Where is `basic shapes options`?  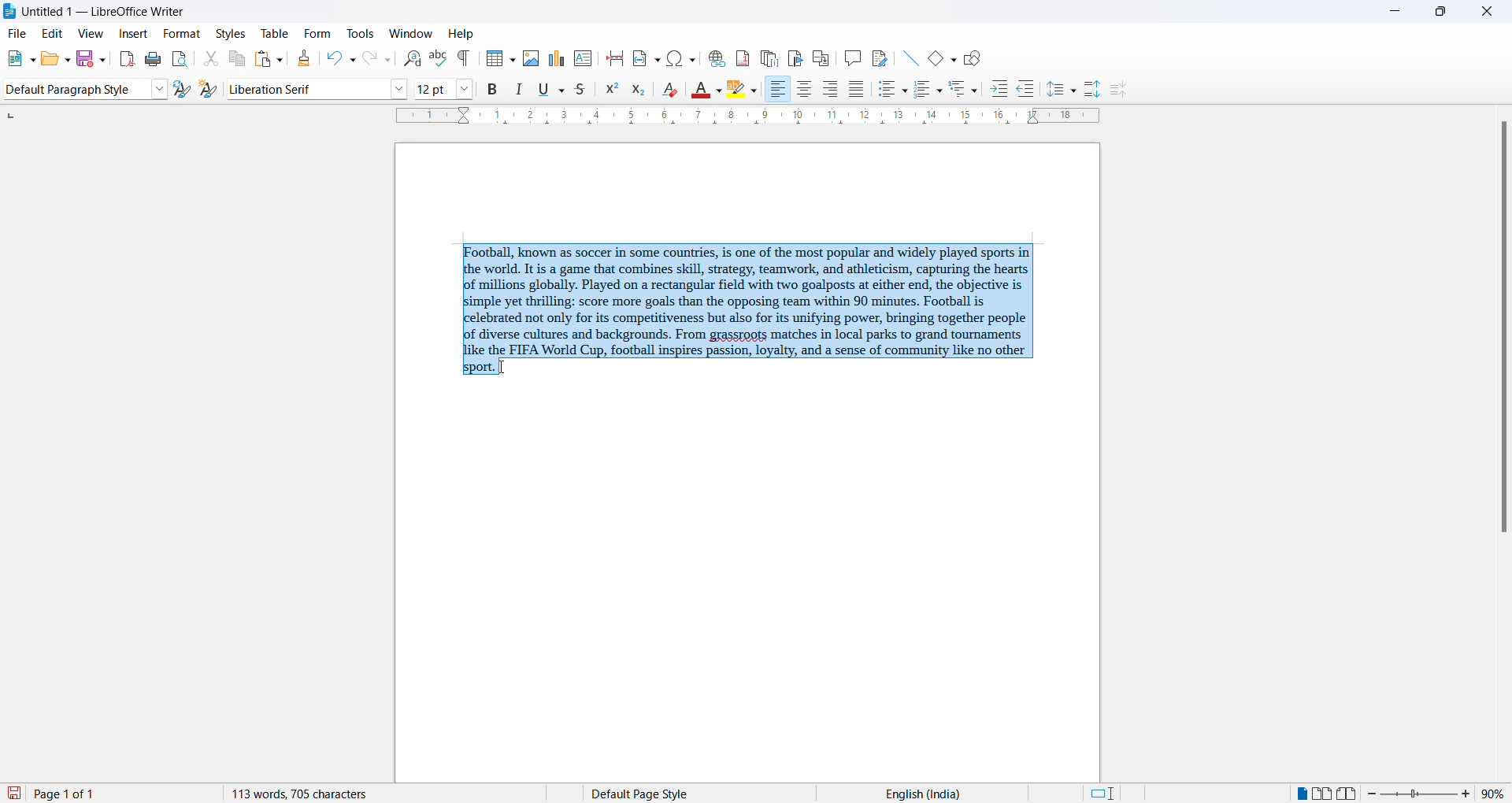
basic shapes options is located at coordinates (951, 60).